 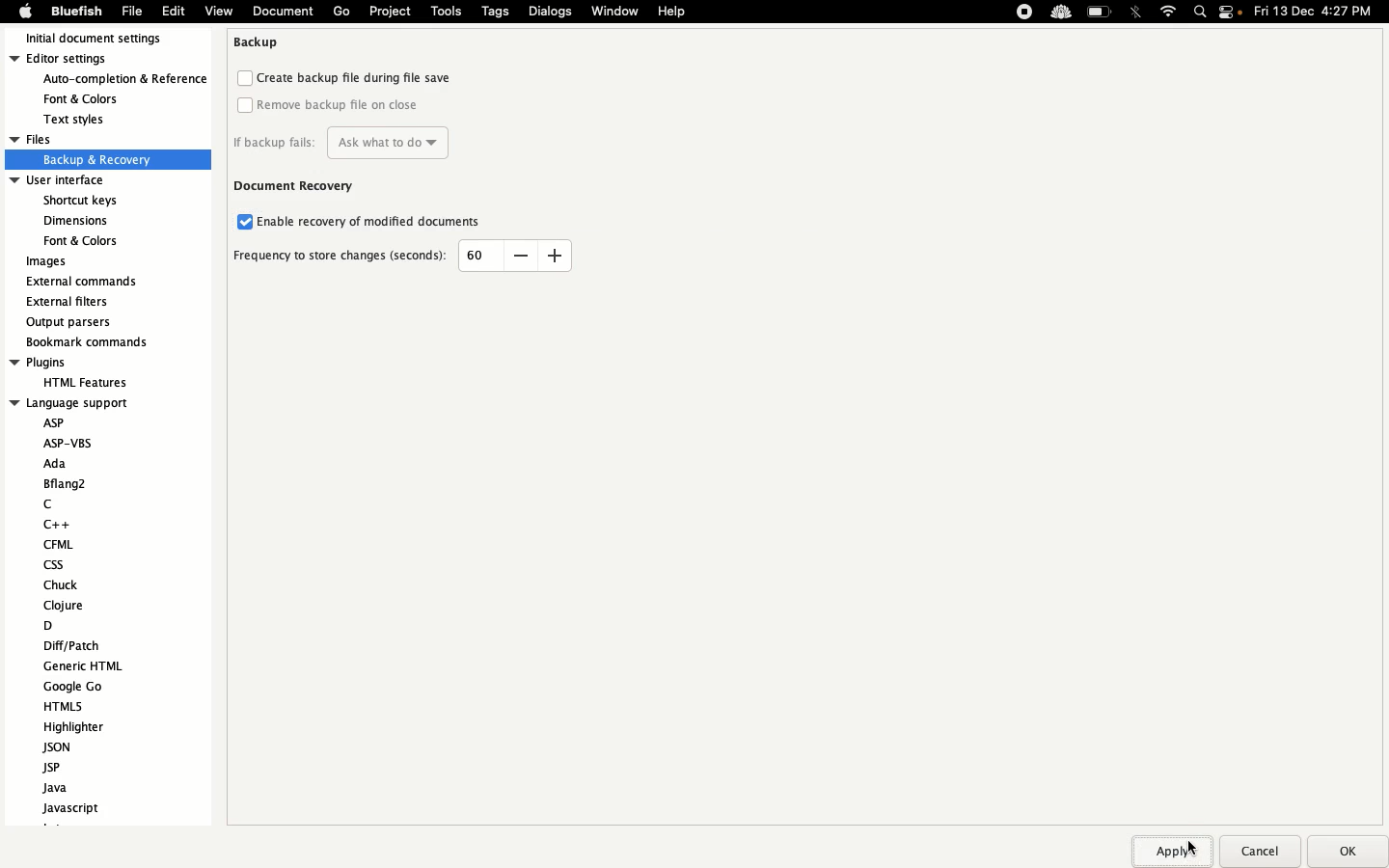 What do you see at coordinates (74, 305) in the screenshot?
I see `External filters` at bounding box center [74, 305].